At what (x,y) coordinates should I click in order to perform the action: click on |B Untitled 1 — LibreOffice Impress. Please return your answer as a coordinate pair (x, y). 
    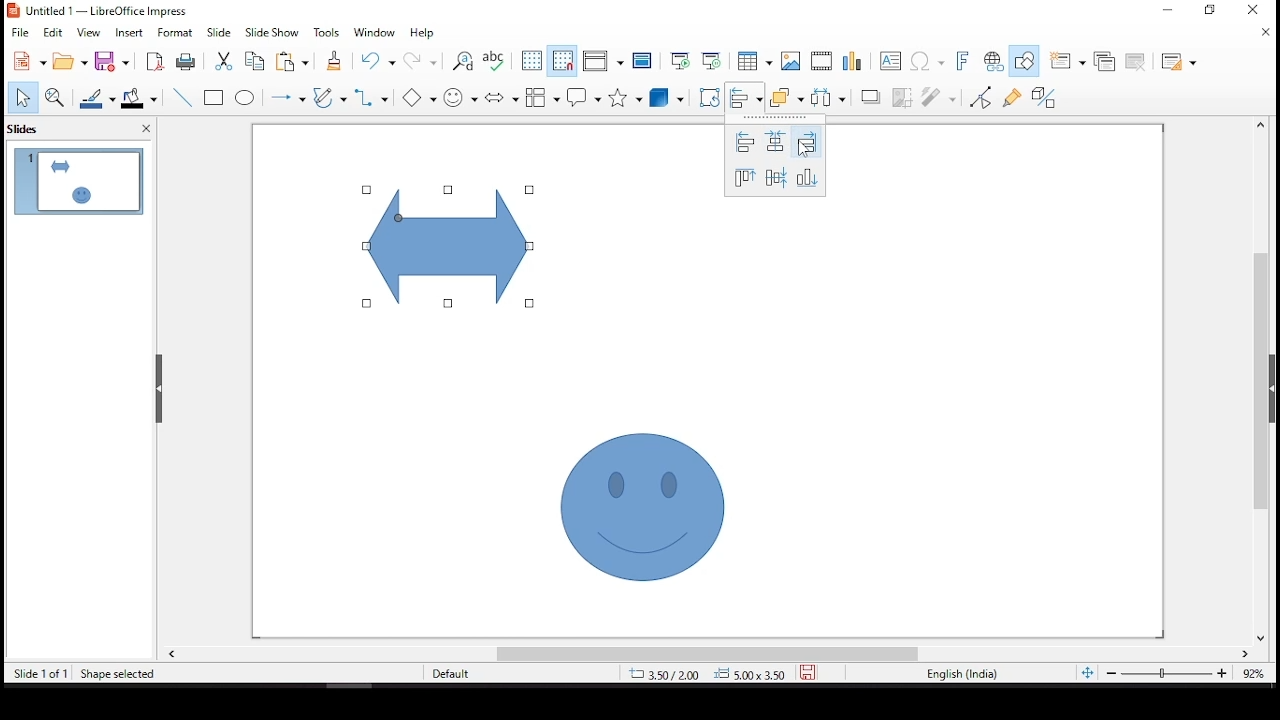
    Looking at the image, I should click on (97, 9).